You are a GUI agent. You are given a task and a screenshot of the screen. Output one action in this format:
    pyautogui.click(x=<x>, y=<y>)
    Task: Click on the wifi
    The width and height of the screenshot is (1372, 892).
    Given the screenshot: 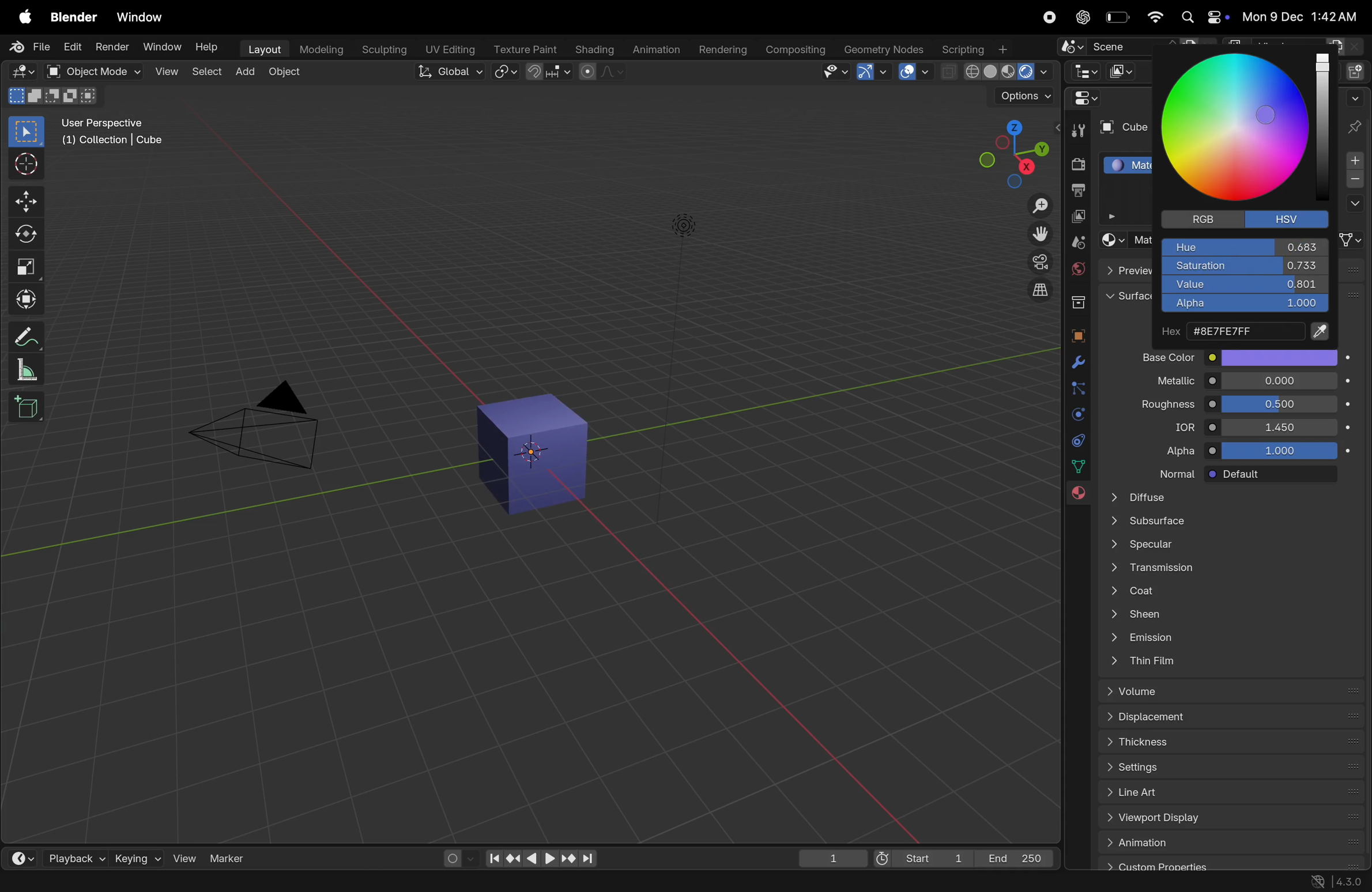 What is the action you would take?
    pyautogui.click(x=1154, y=17)
    